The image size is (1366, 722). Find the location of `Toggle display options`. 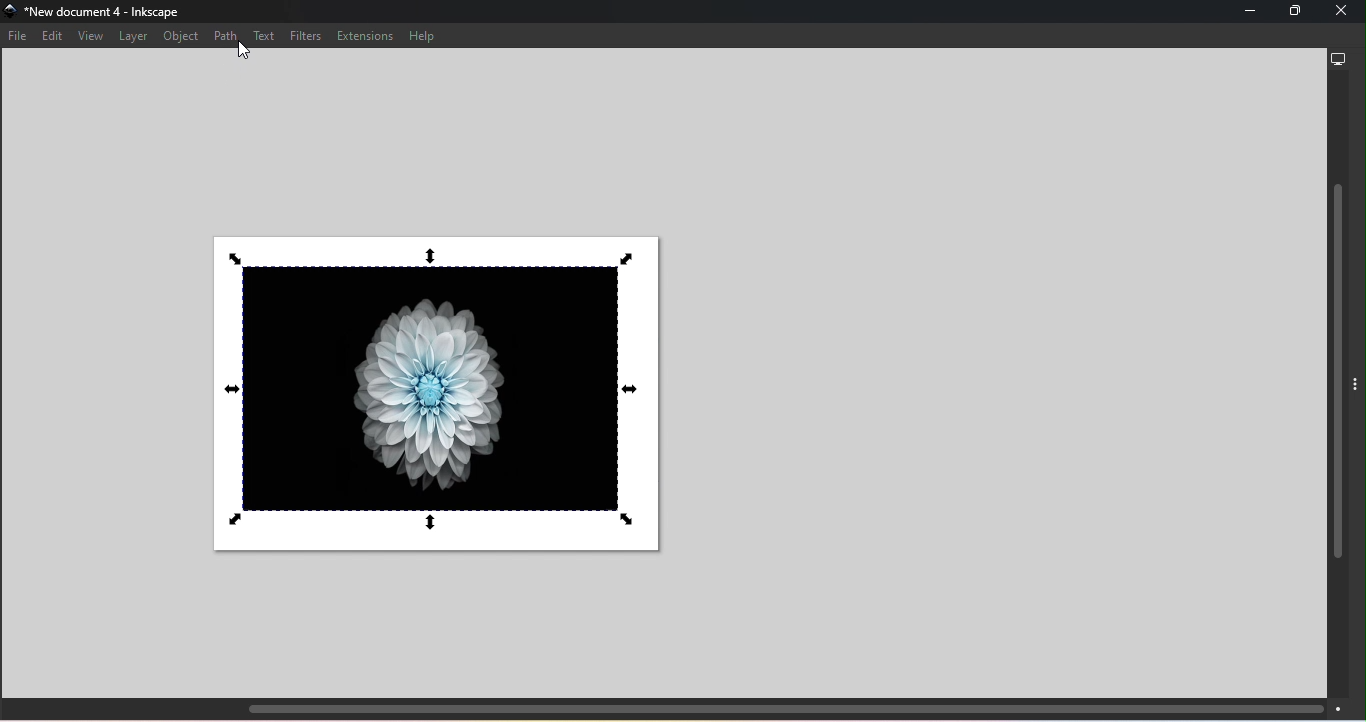

Toggle display options is located at coordinates (1358, 380).